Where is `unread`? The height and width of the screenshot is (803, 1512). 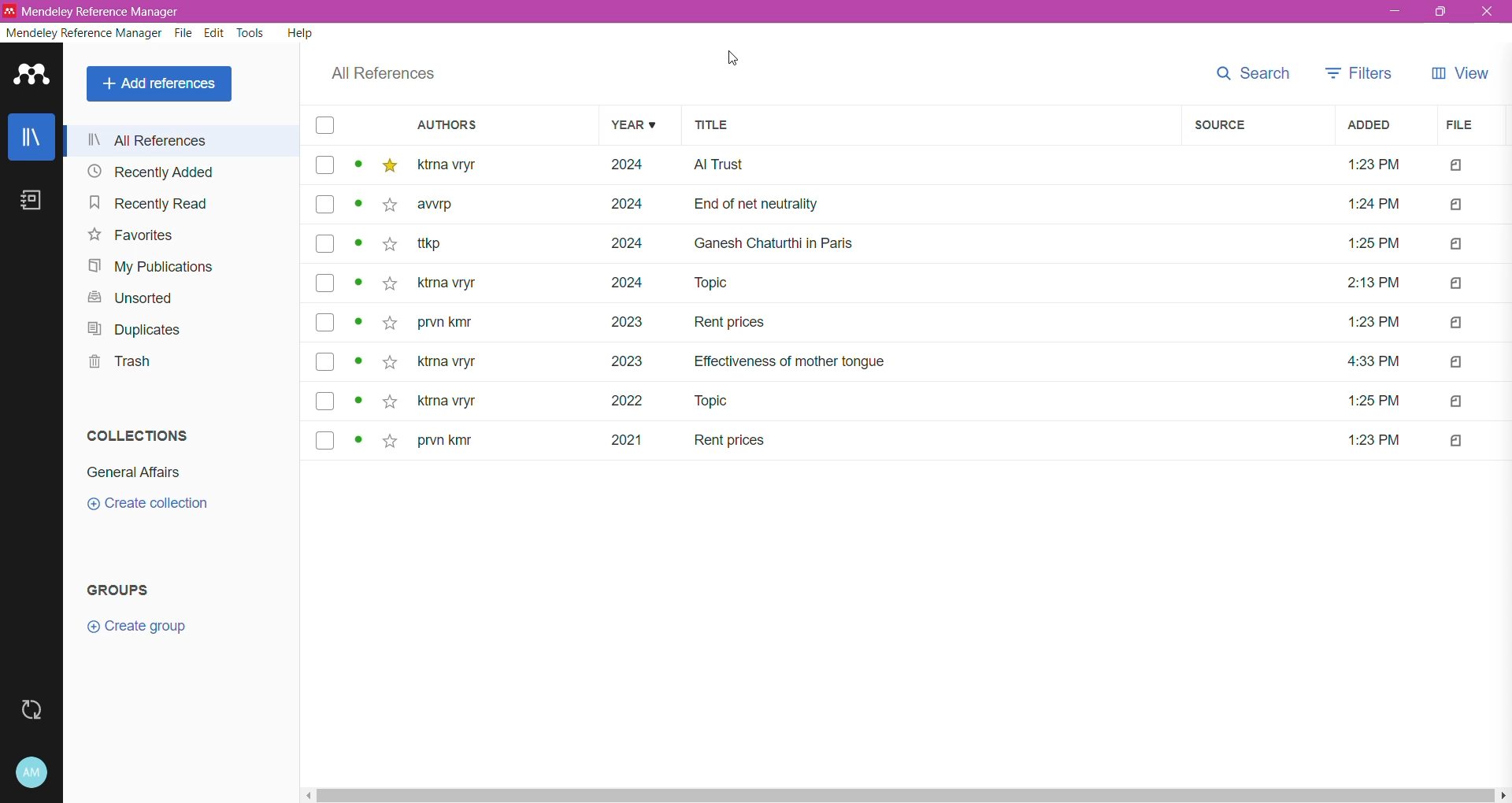 unread is located at coordinates (358, 164).